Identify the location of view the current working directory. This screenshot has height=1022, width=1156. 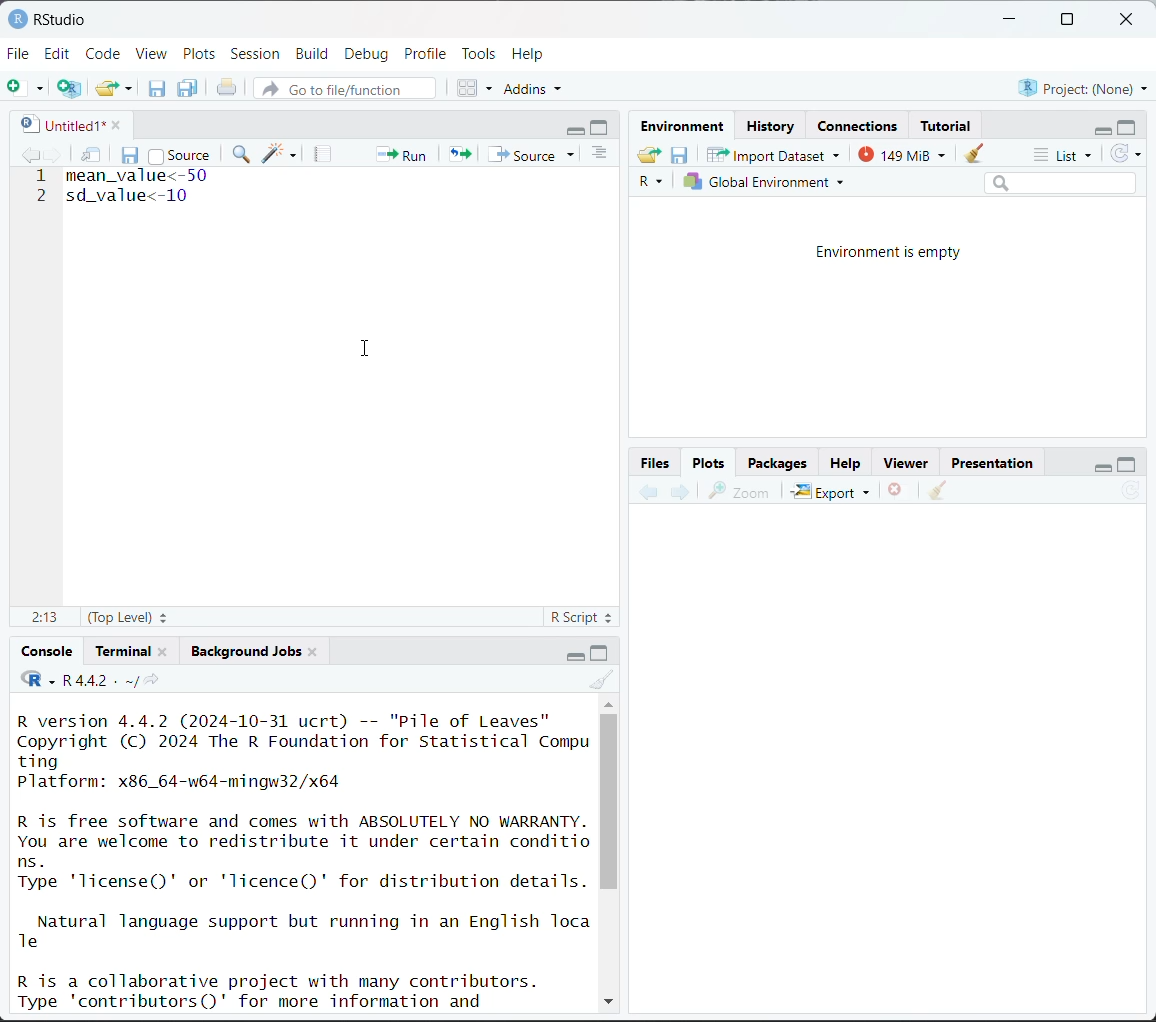
(151, 680).